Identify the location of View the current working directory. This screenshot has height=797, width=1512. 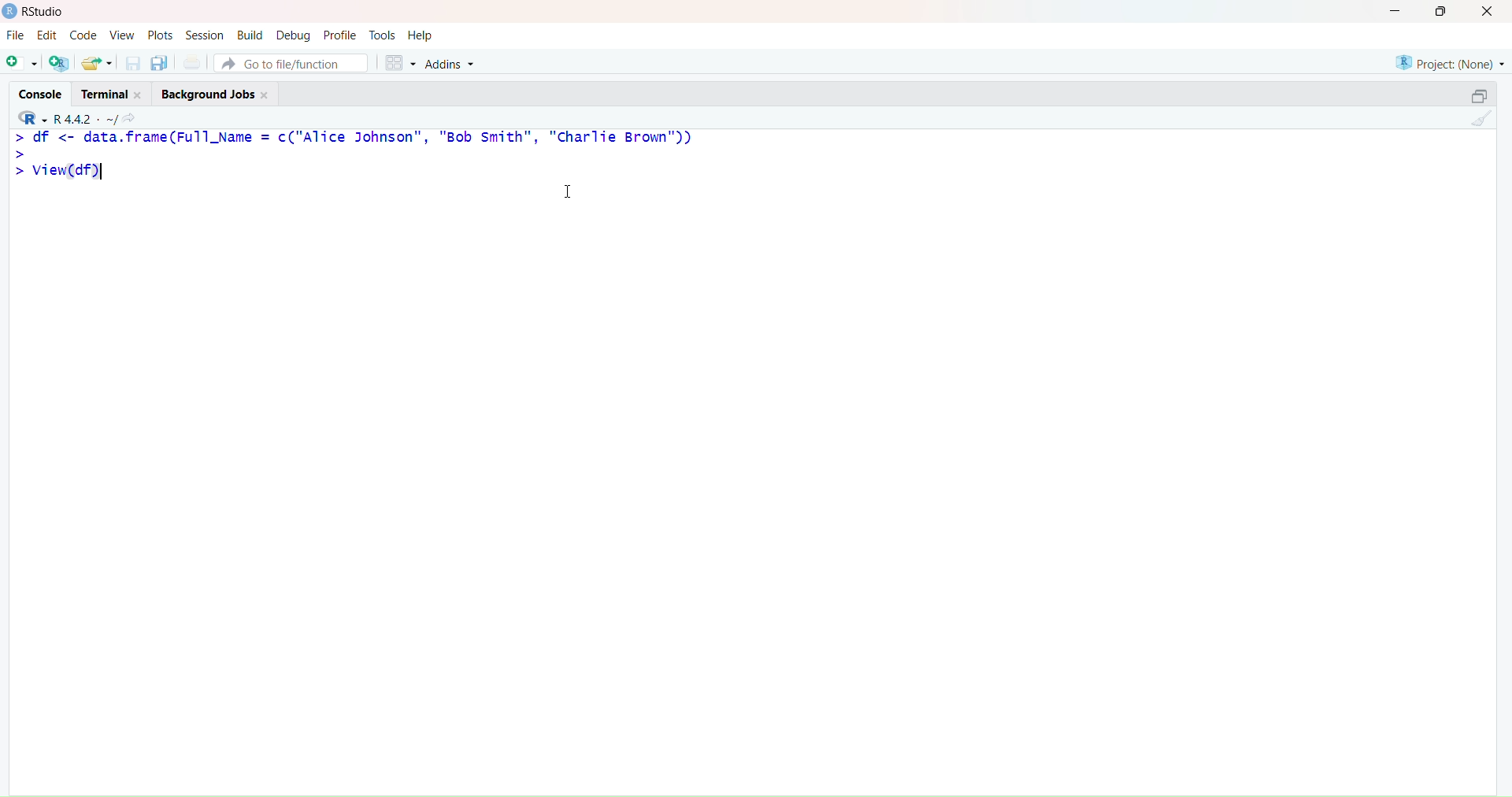
(132, 117).